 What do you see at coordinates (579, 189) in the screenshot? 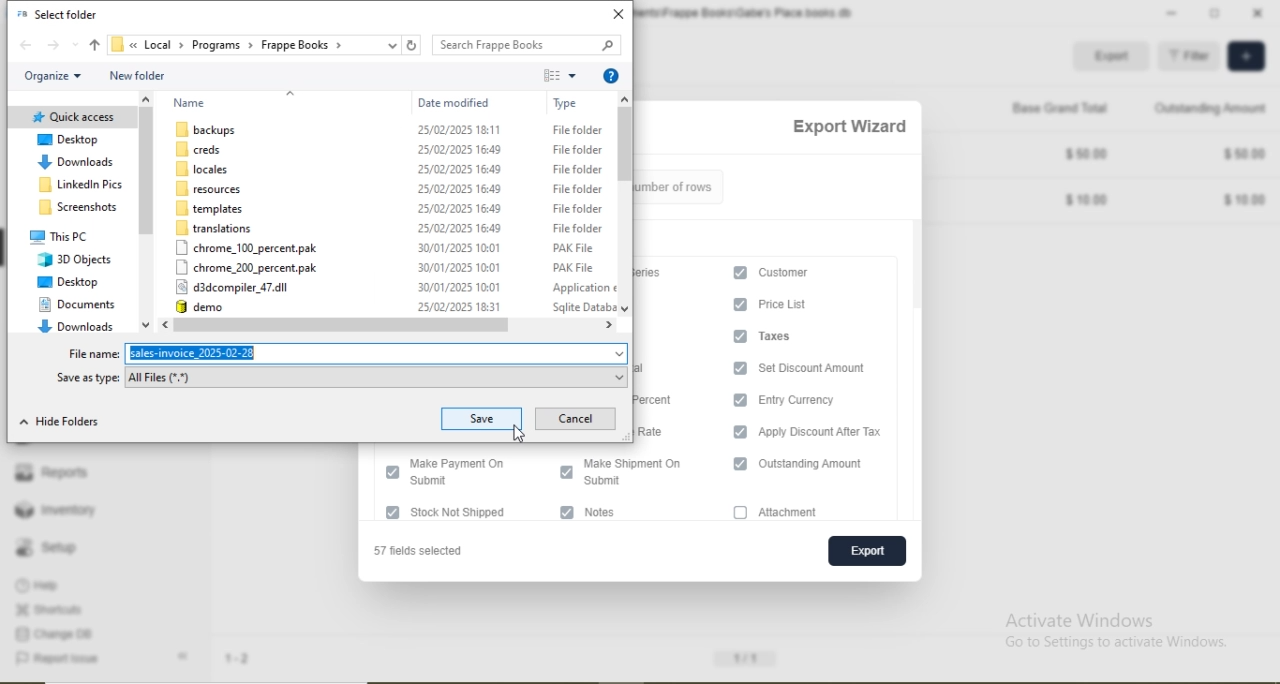
I see `File folder` at bounding box center [579, 189].